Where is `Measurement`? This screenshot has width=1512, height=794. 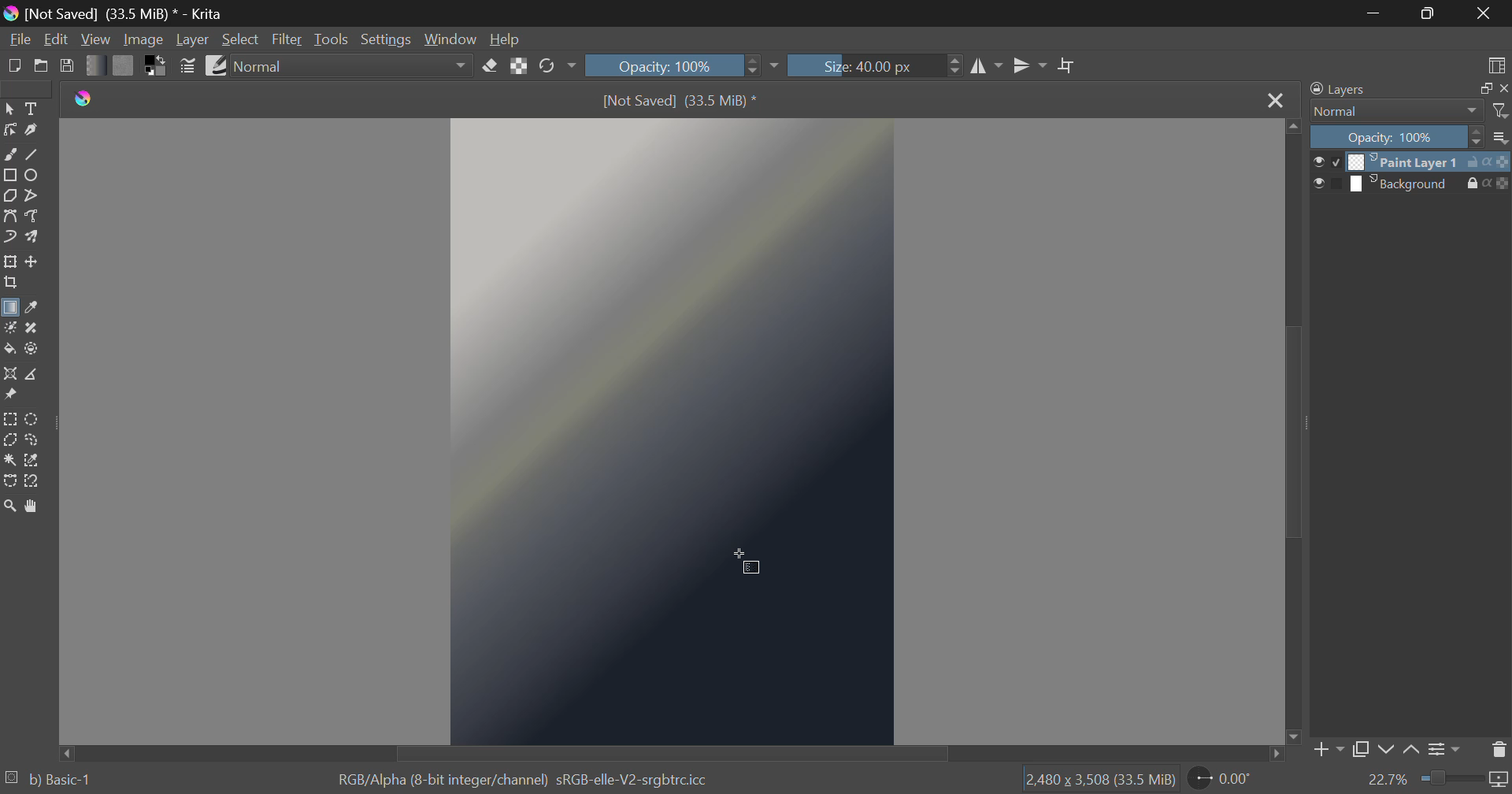
Measurement is located at coordinates (32, 375).